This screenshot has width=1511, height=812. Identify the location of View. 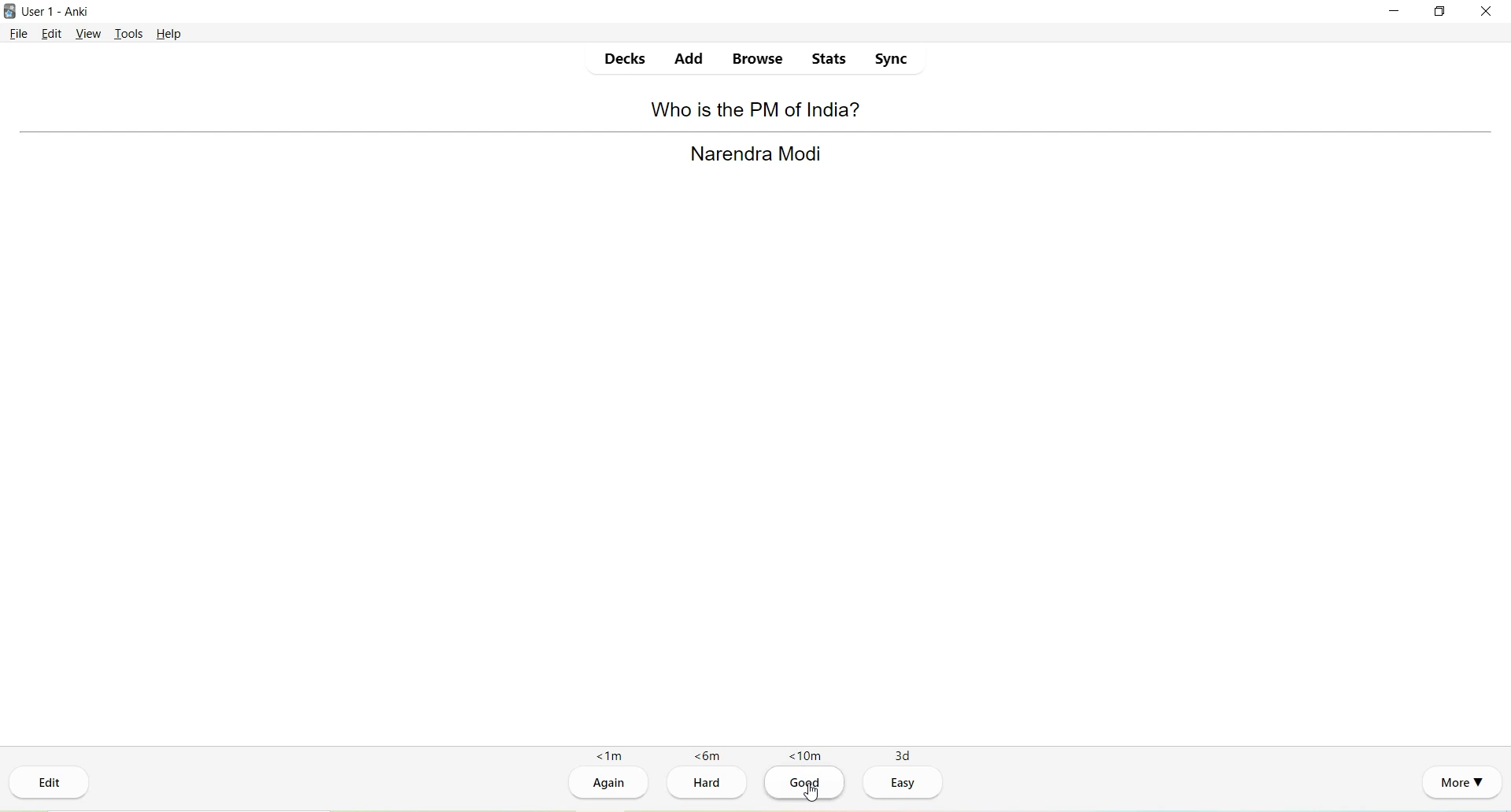
(89, 33).